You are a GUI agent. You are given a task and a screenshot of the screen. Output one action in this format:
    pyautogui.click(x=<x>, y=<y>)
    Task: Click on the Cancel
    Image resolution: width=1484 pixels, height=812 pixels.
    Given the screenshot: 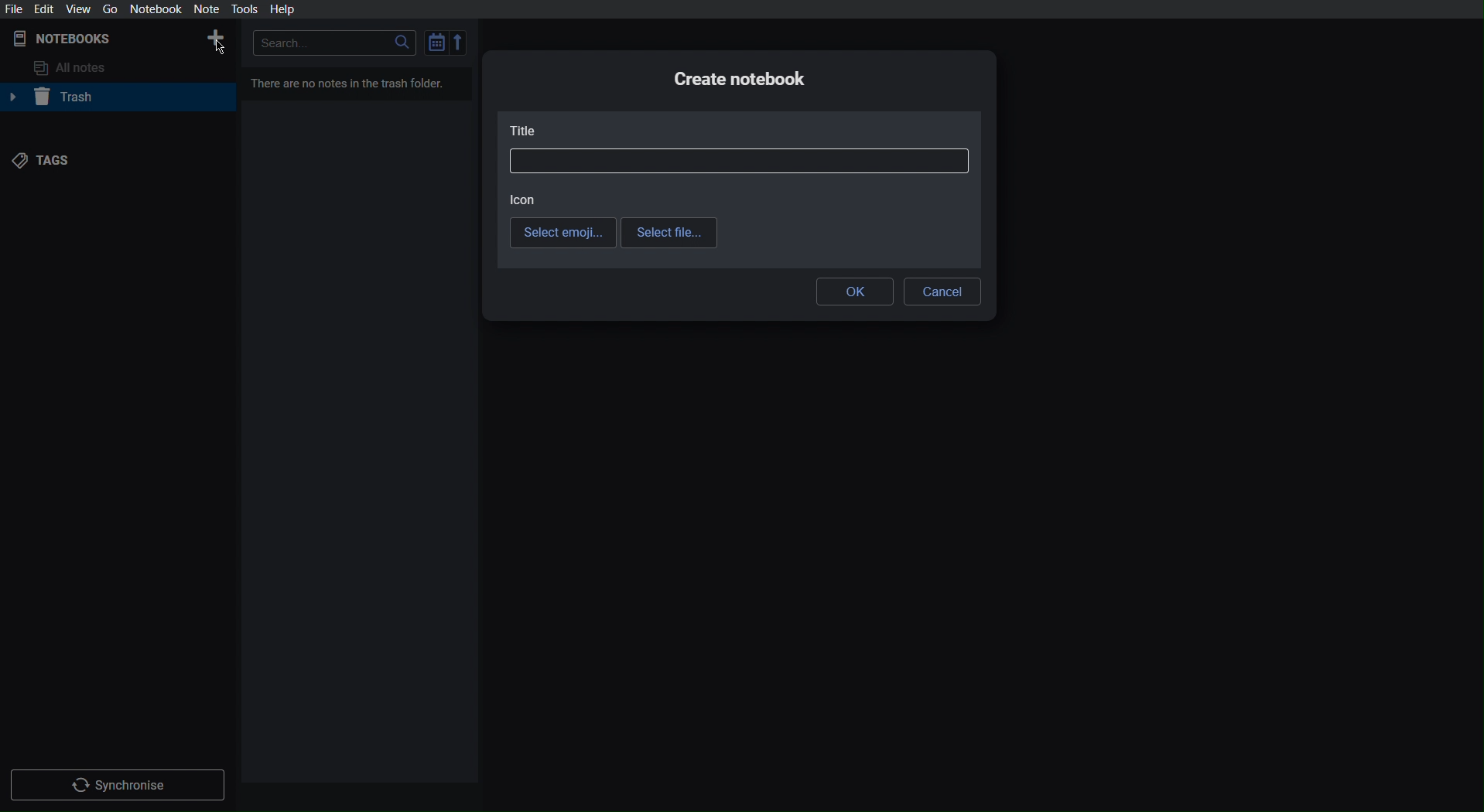 What is the action you would take?
    pyautogui.click(x=942, y=292)
    